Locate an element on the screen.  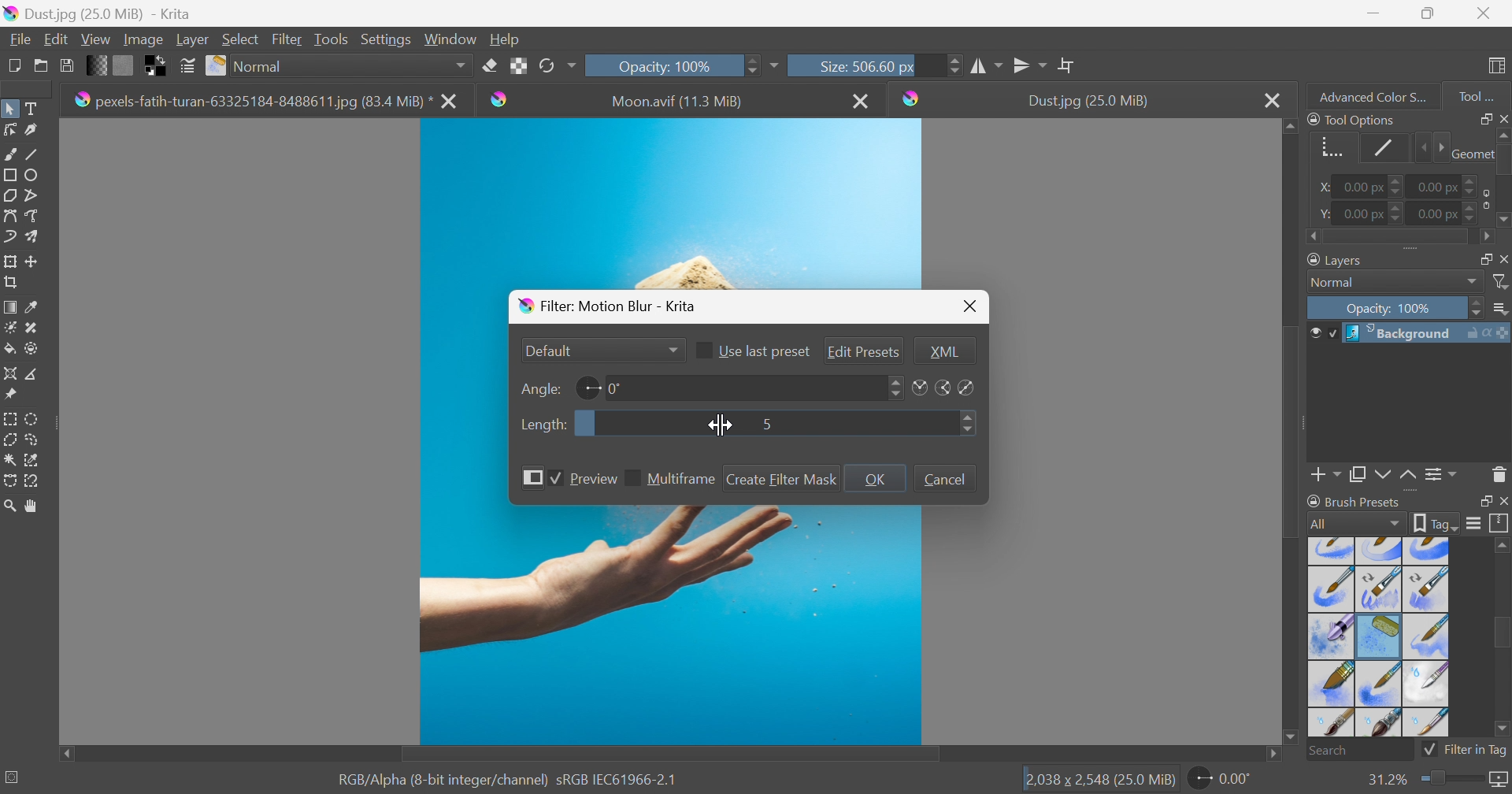
Brush Presets is located at coordinates (1354, 501).